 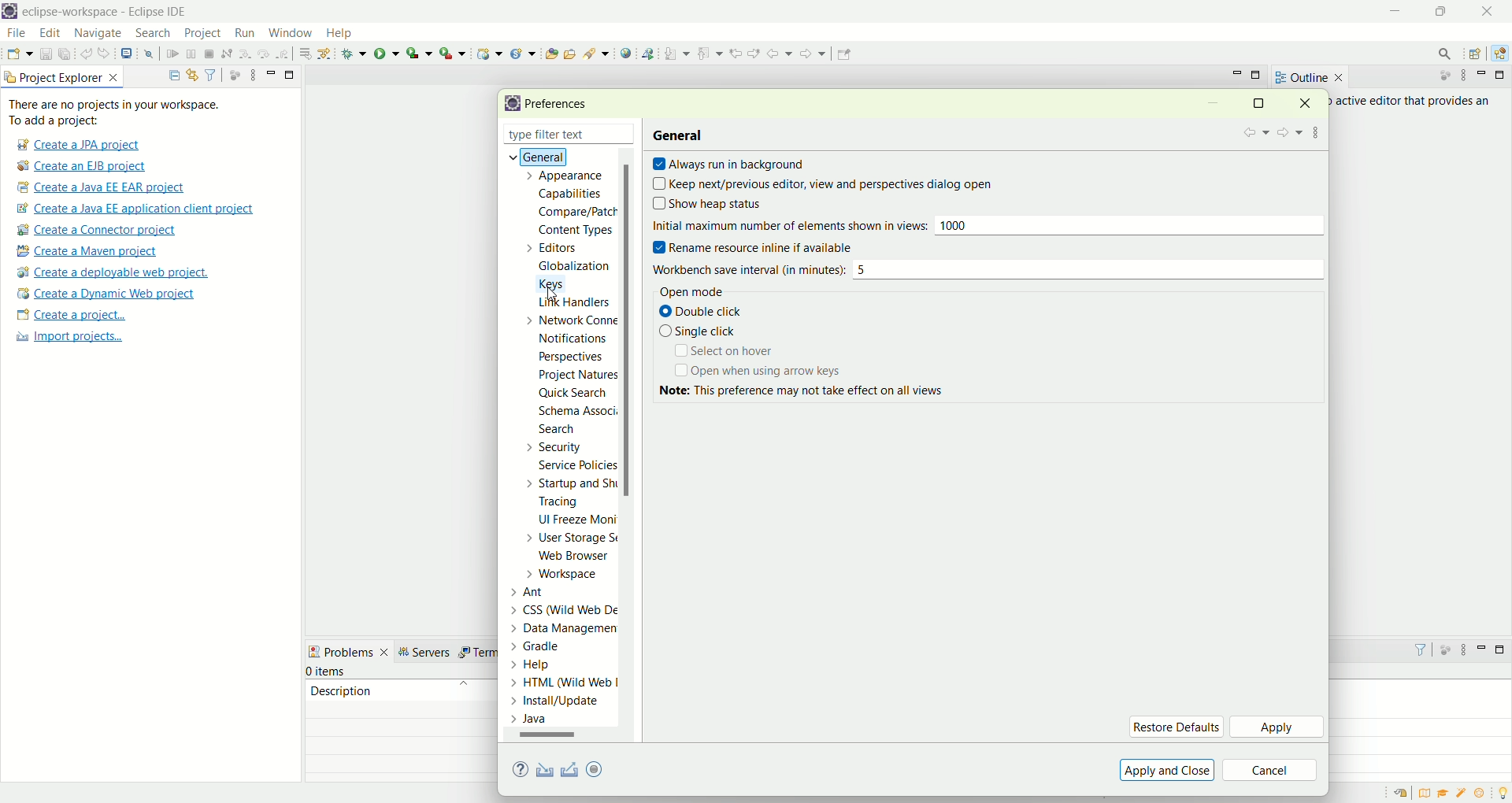 I want to click on show heap status, so click(x=736, y=205).